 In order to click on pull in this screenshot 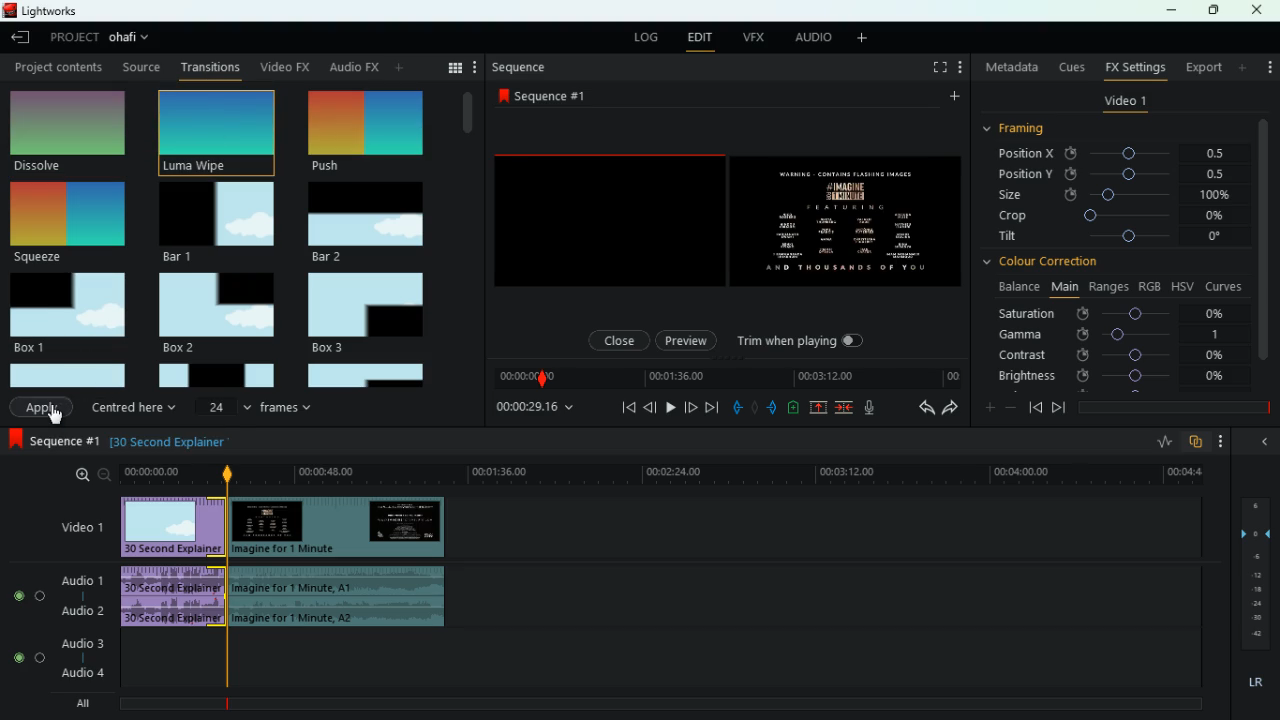, I will do `click(737, 408)`.